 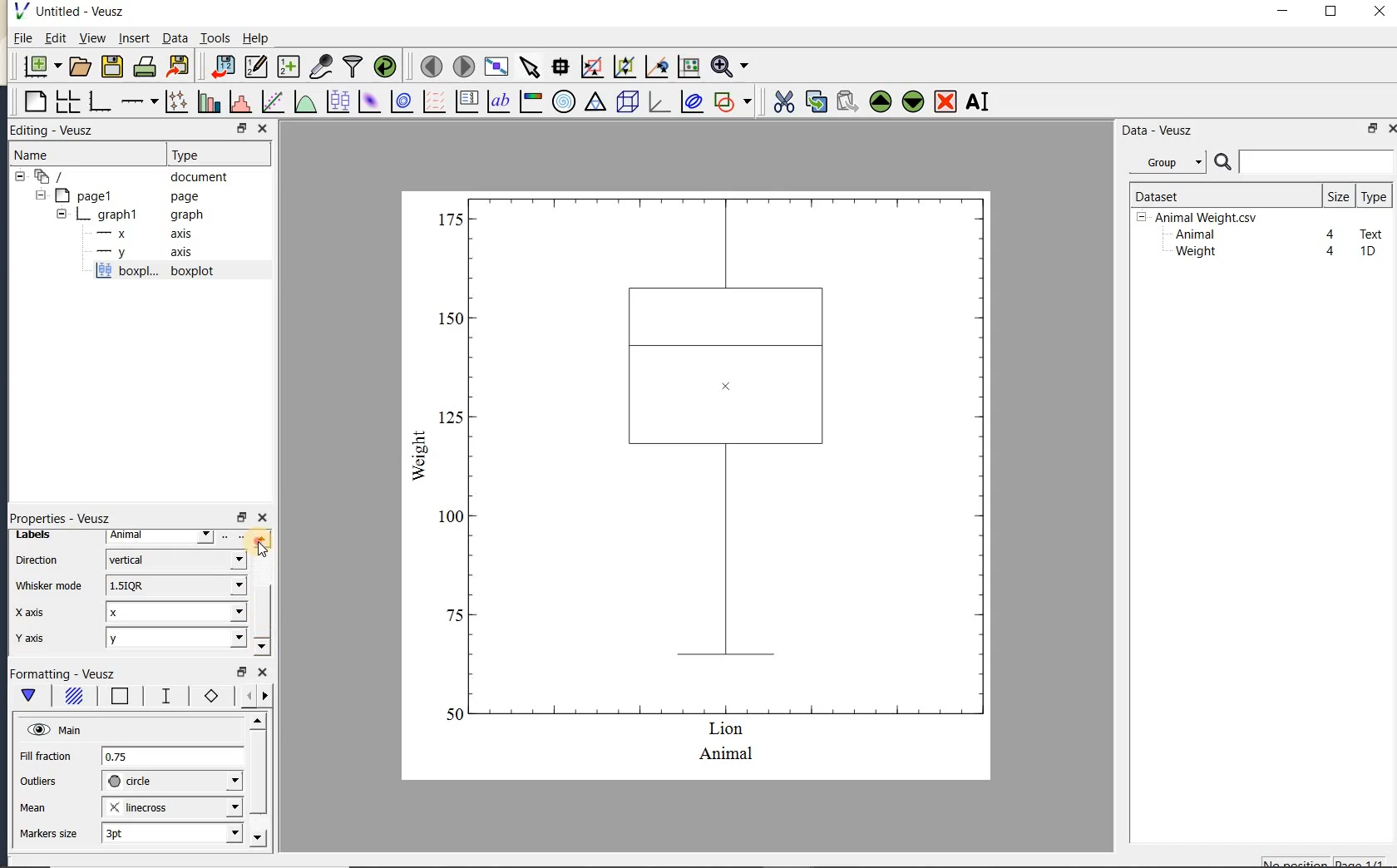 I want to click on arrange graphs in a grid, so click(x=67, y=101).